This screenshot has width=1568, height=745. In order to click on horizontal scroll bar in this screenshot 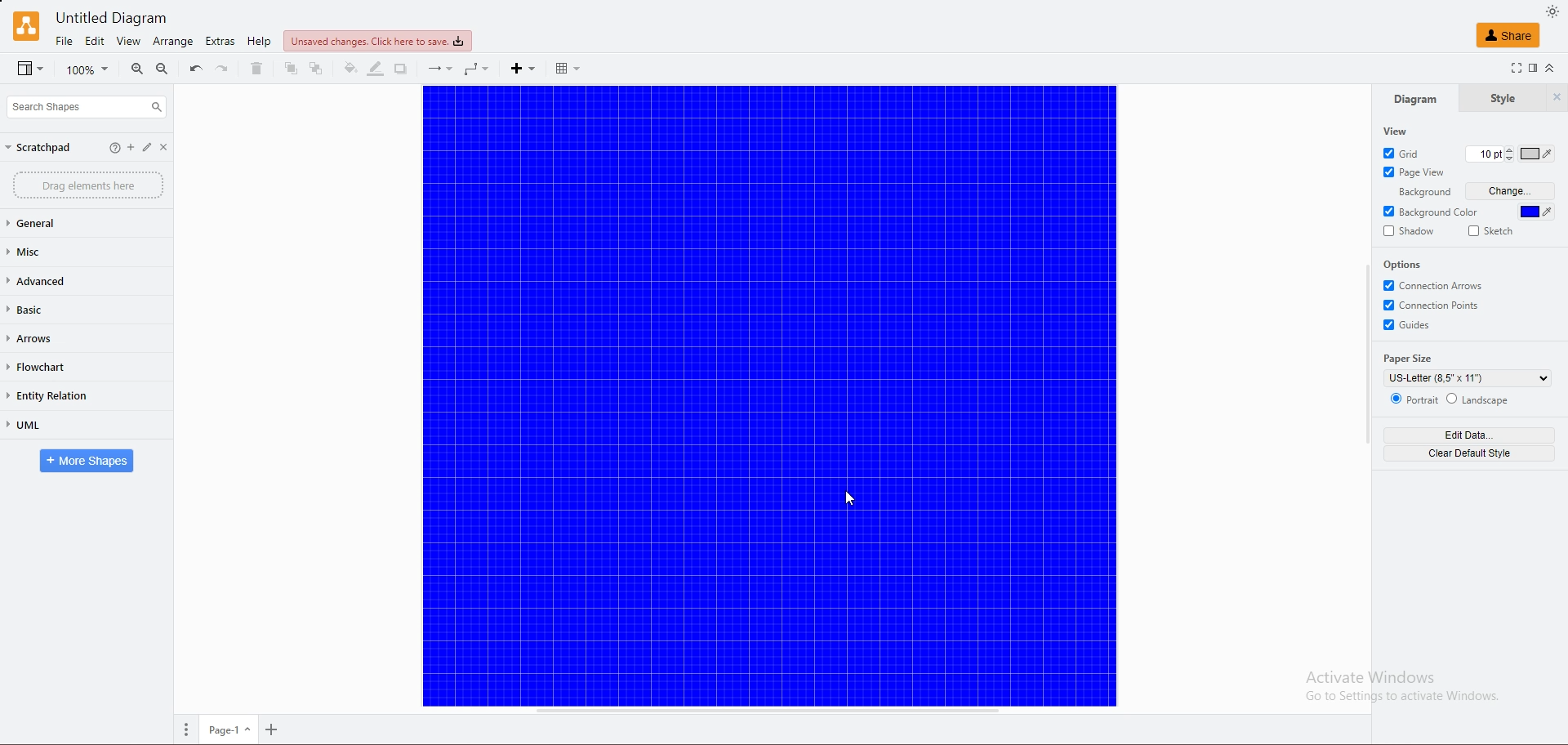, I will do `click(764, 713)`.